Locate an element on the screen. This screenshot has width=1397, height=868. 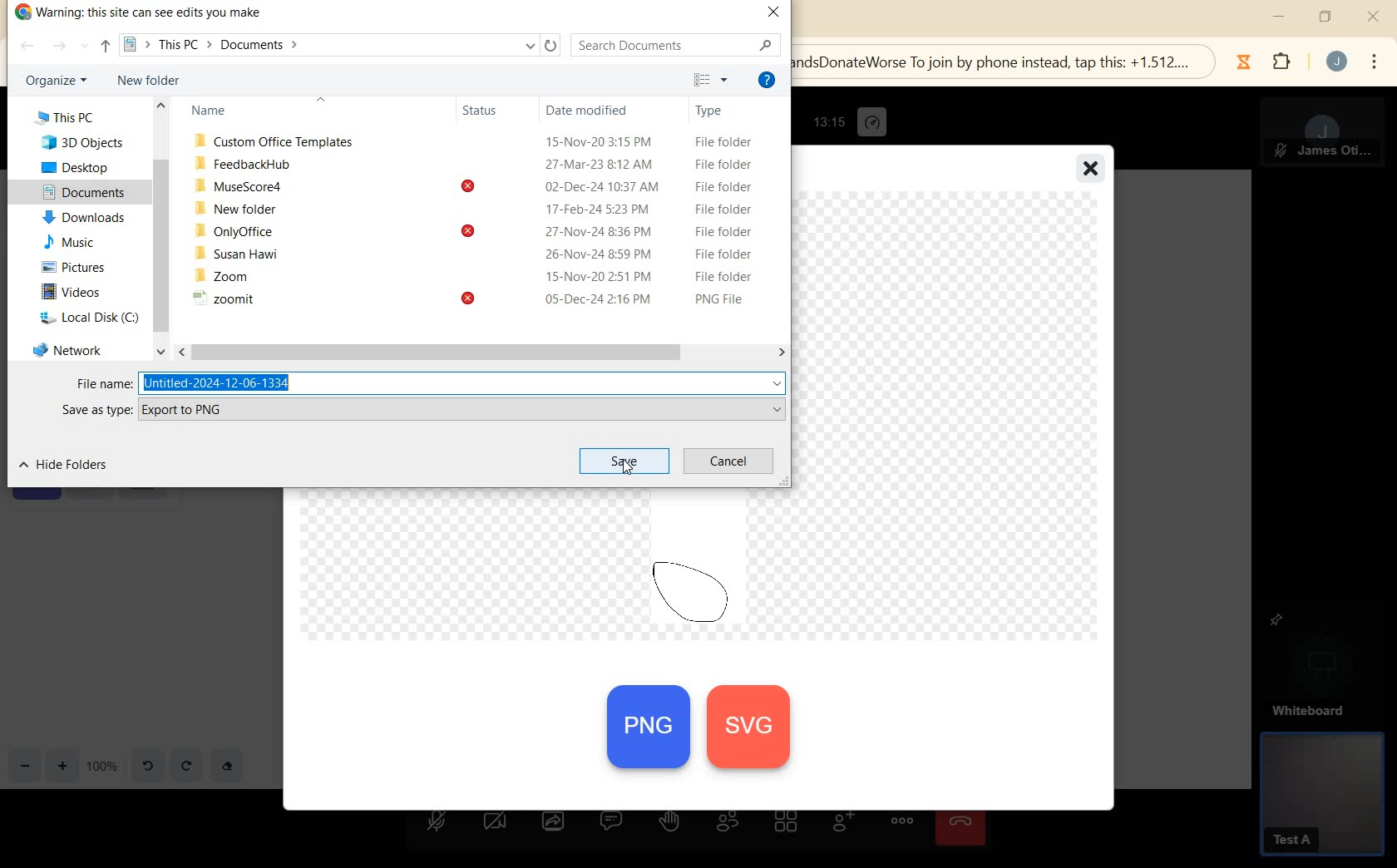
WARNING: THIS SITECAN SEE EDITS YOU MAKE is located at coordinates (141, 12).